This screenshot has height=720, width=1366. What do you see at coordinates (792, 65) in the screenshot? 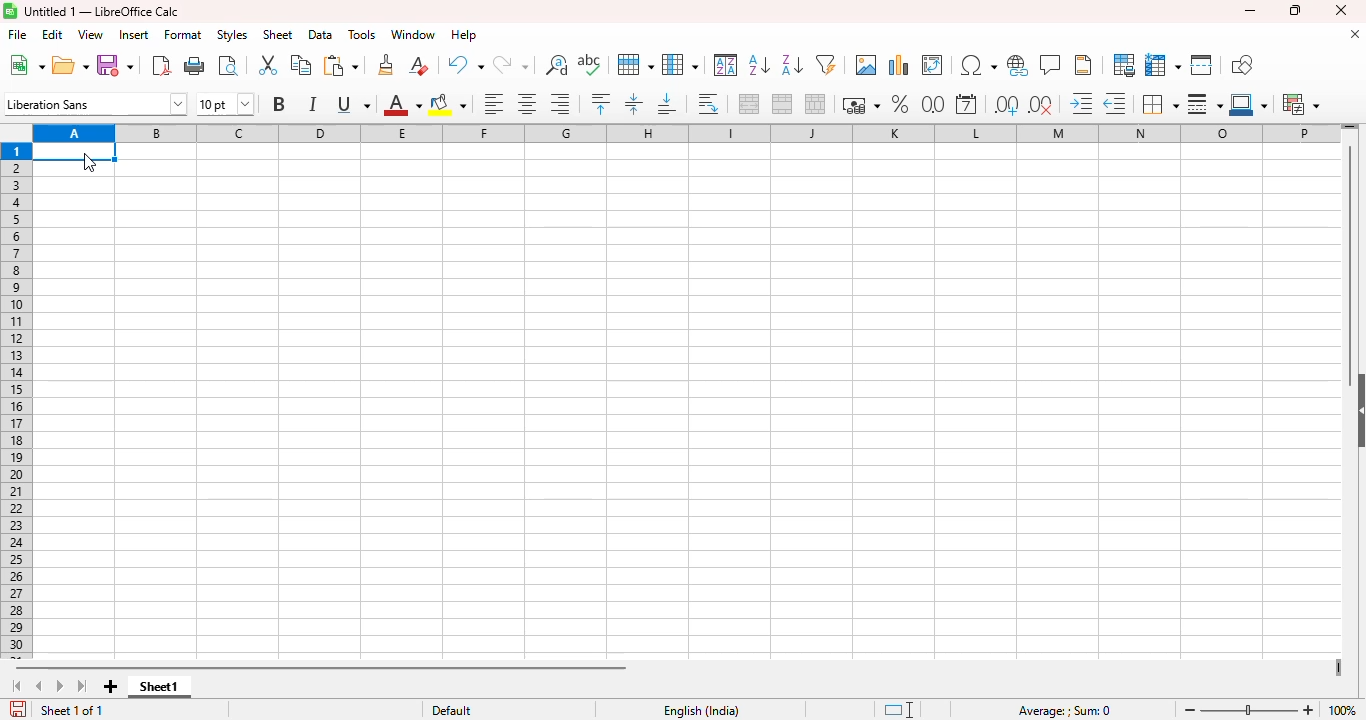
I see `sort descending` at bounding box center [792, 65].